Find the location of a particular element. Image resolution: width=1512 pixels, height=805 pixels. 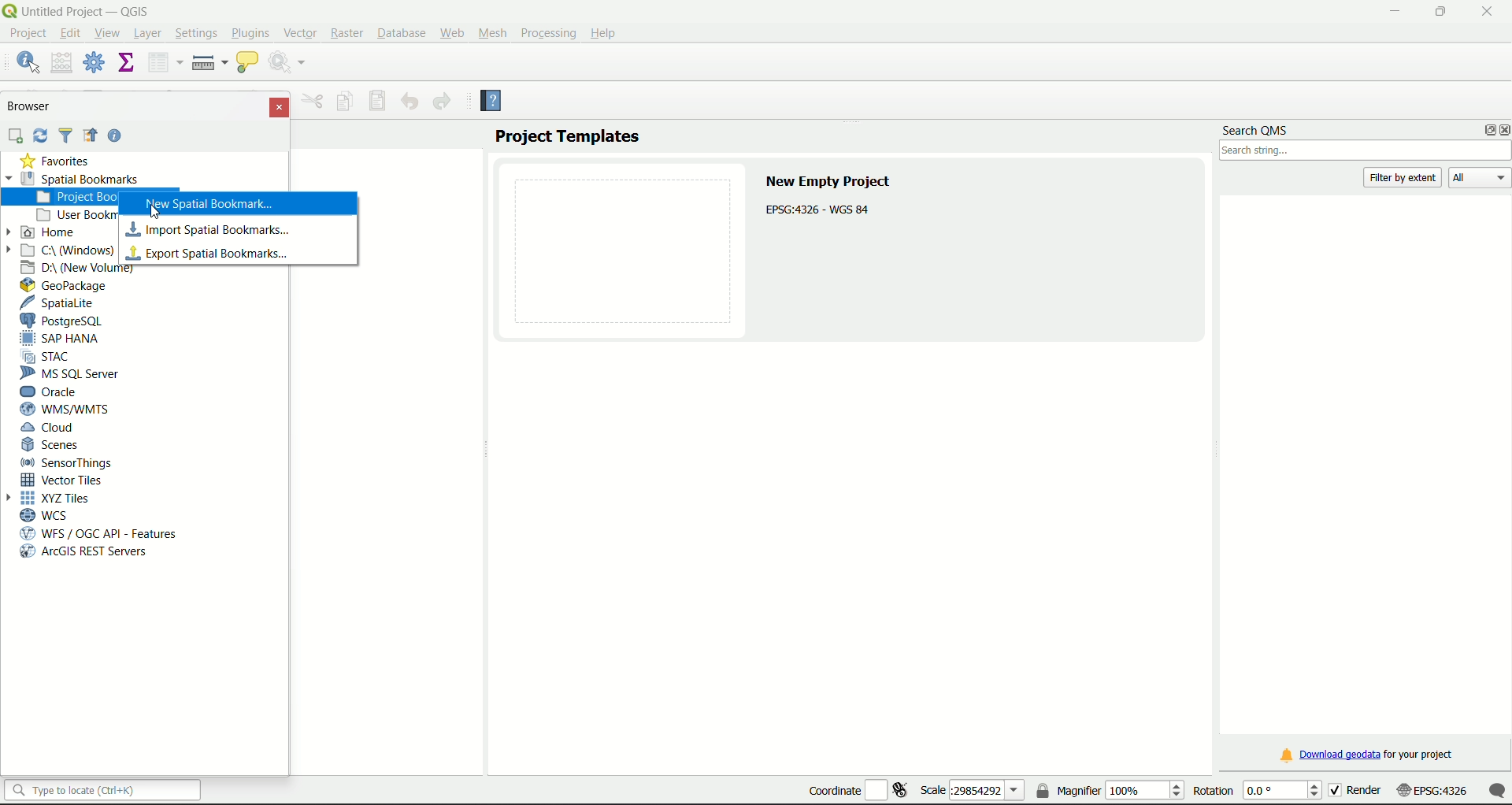

arcGIS is located at coordinates (84, 553).